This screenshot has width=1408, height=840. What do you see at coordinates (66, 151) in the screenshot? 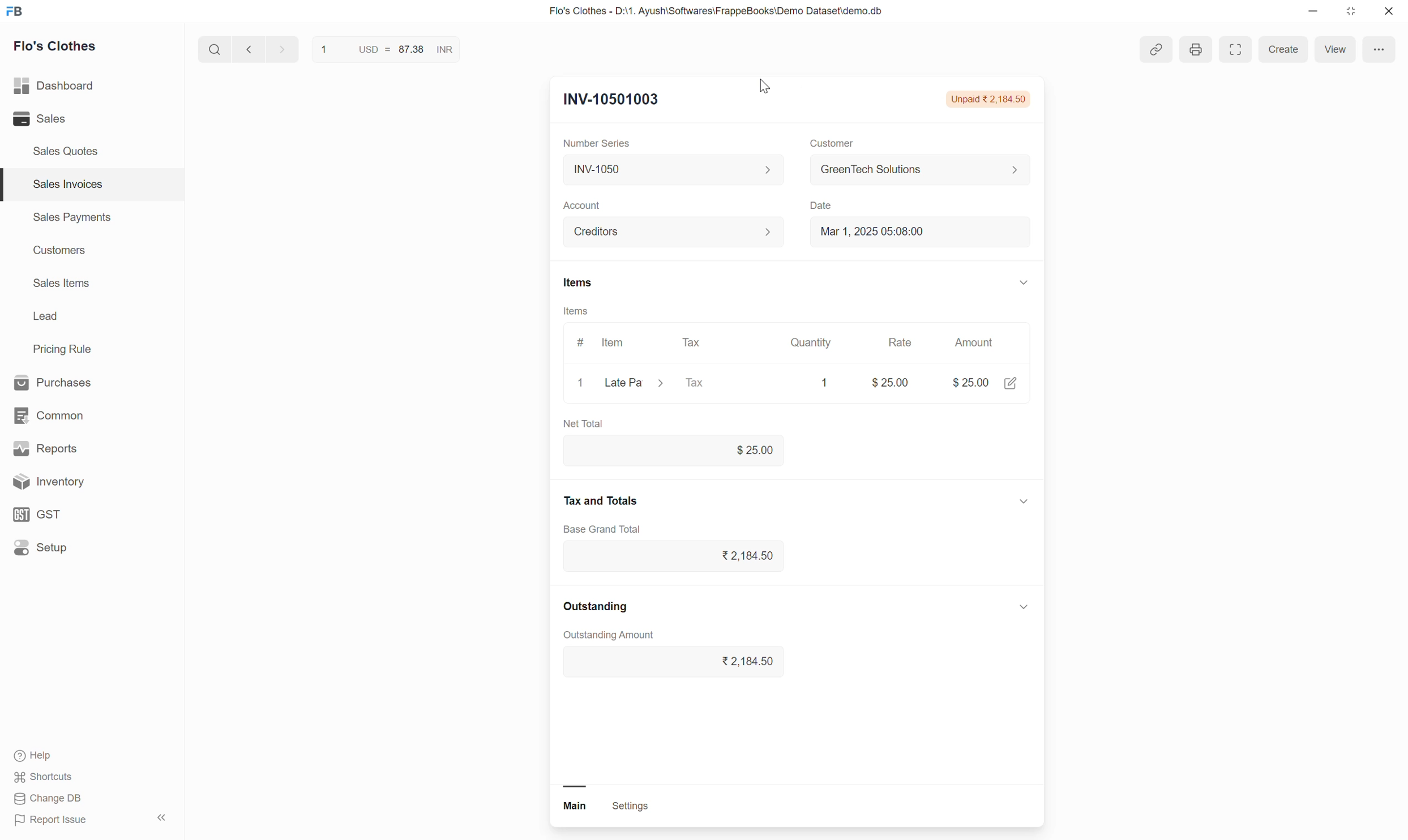
I see `Sales Quotes` at bounding box center [66, 151].